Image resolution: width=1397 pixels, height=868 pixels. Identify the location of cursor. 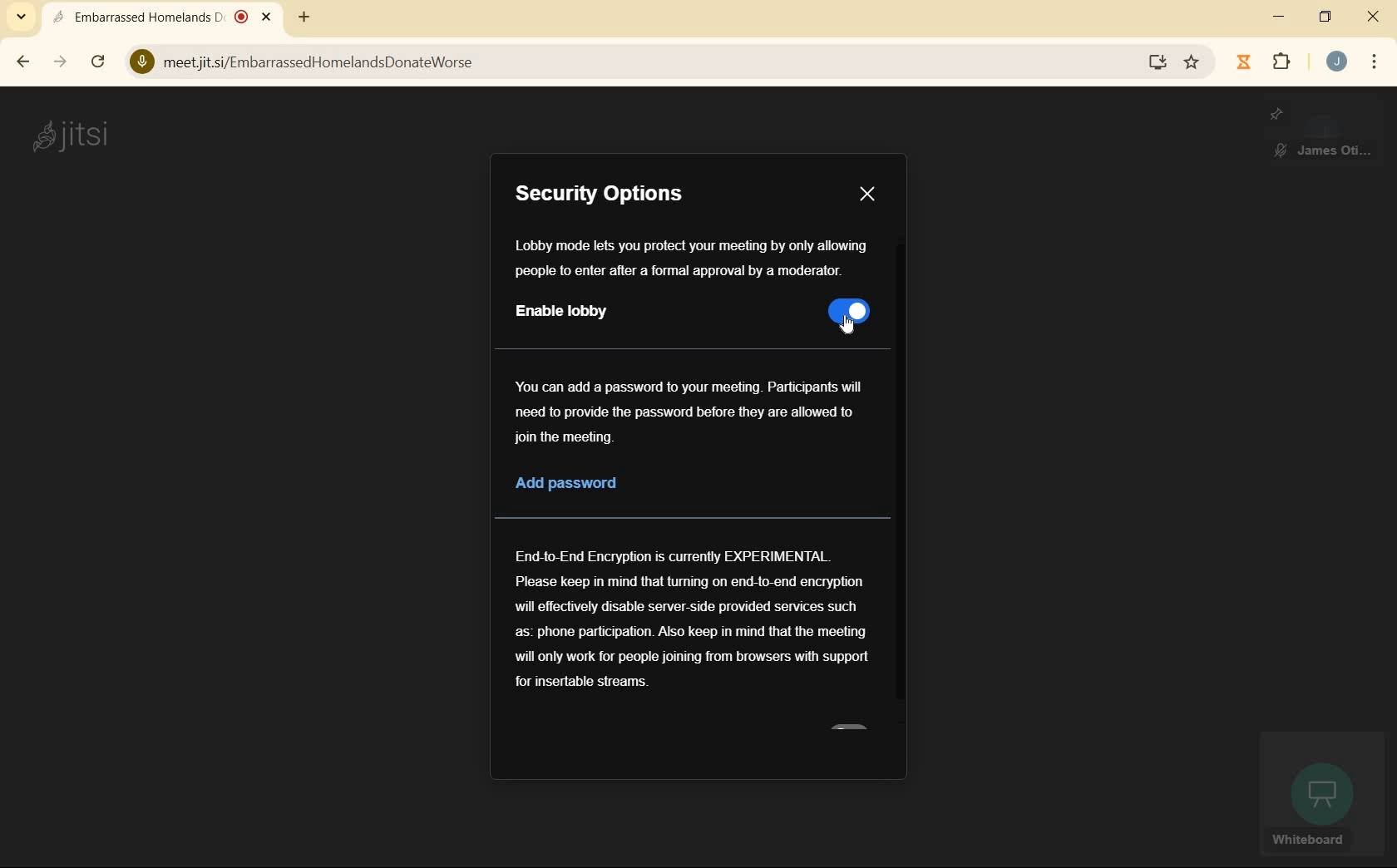
(851, 326).